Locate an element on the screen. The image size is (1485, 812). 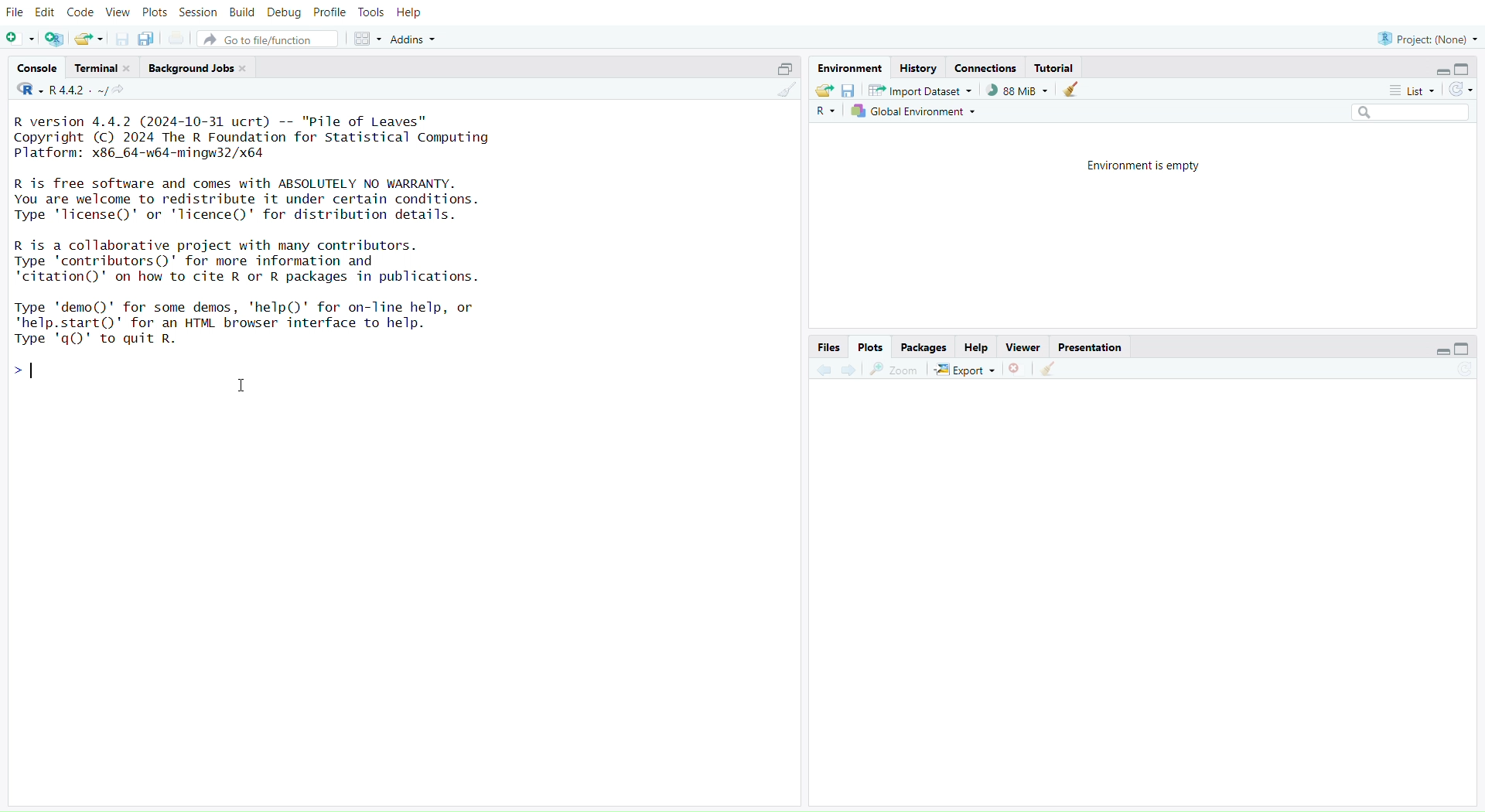
R is located at coordinates (824, 113).